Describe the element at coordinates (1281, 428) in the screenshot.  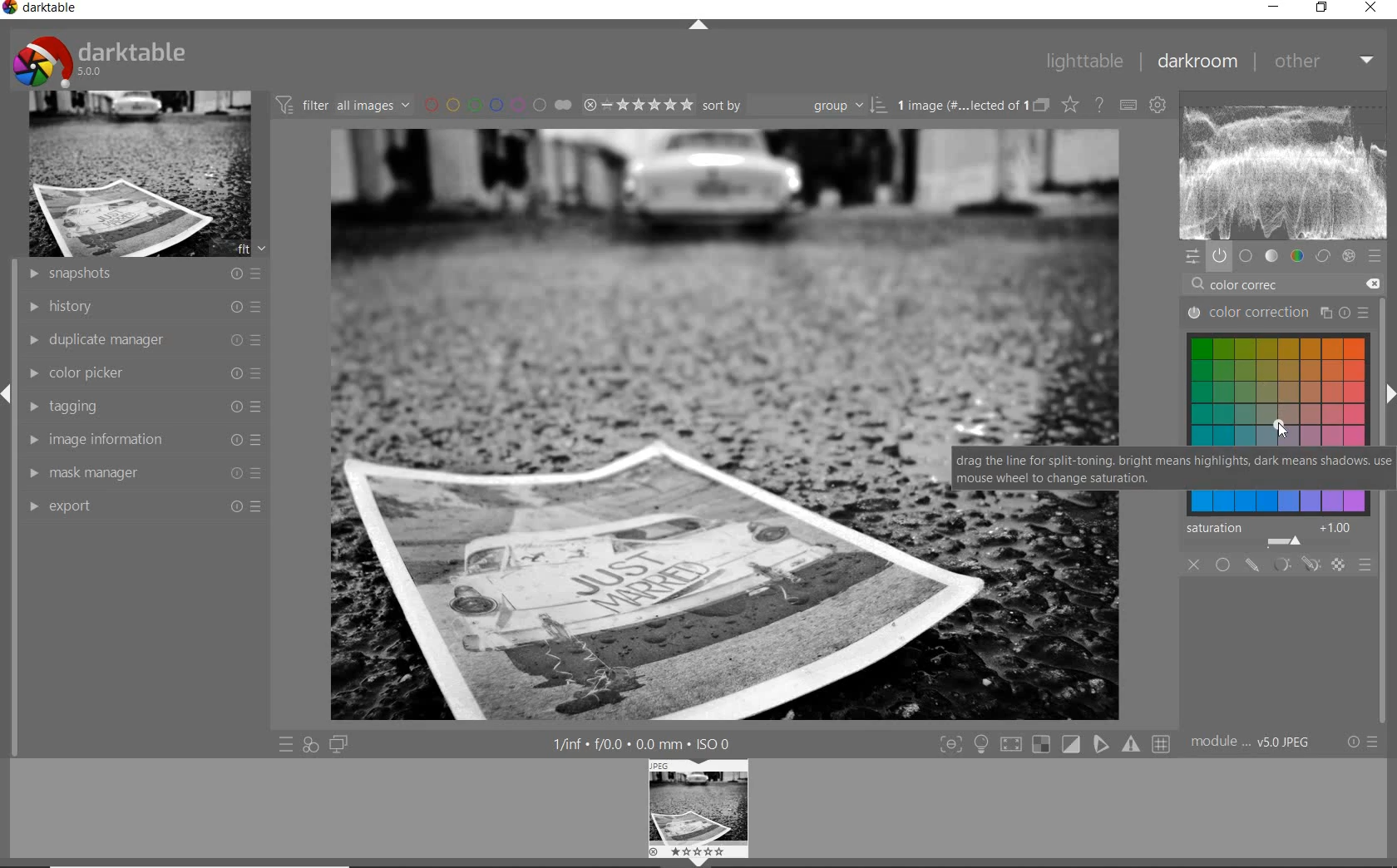
I see `drag to harmonize color` at that location.